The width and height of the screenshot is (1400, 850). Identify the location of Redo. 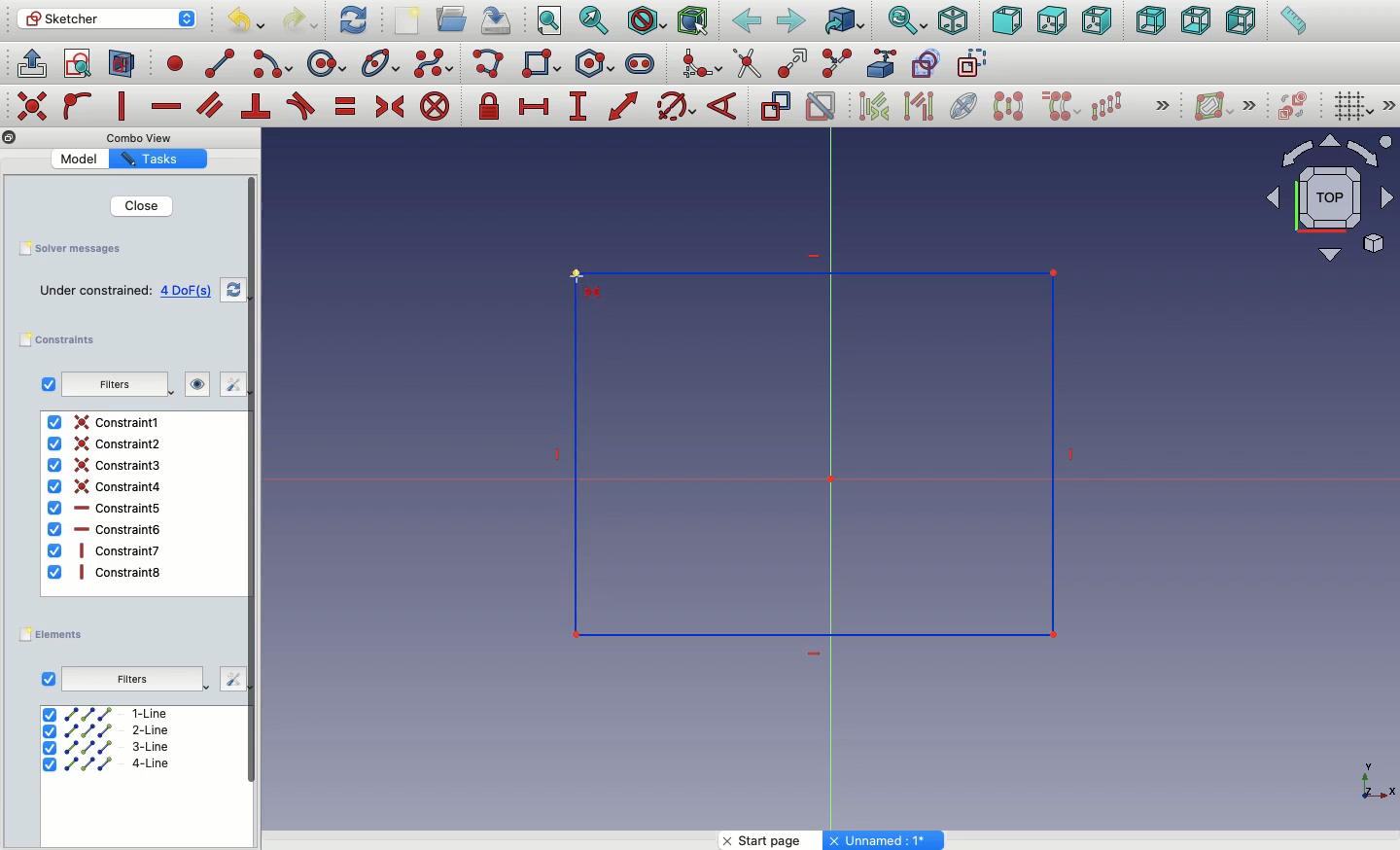
(303, 20).